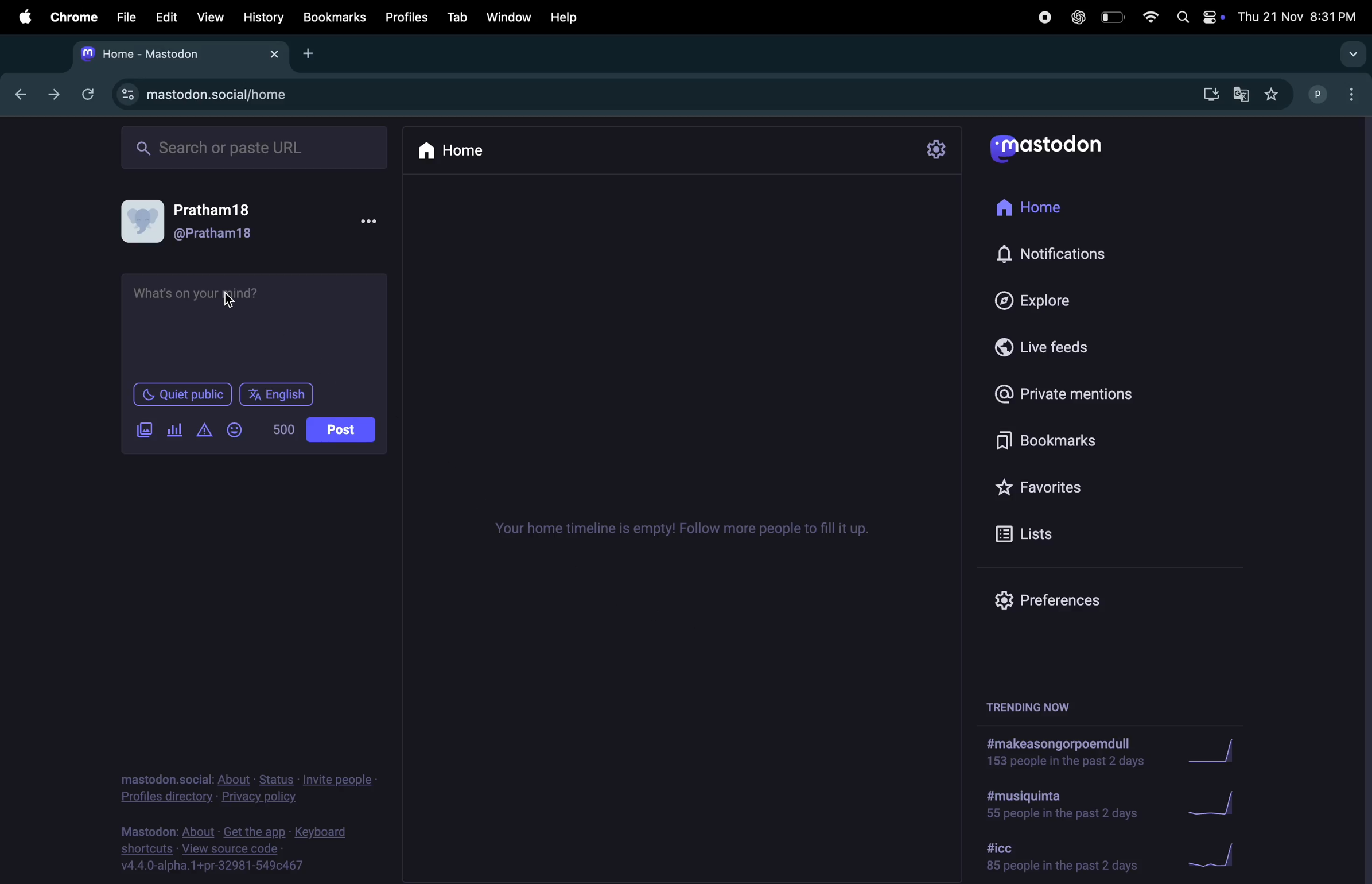 The image size is (1372, 884). I want to click on time line, so click(687, 529).